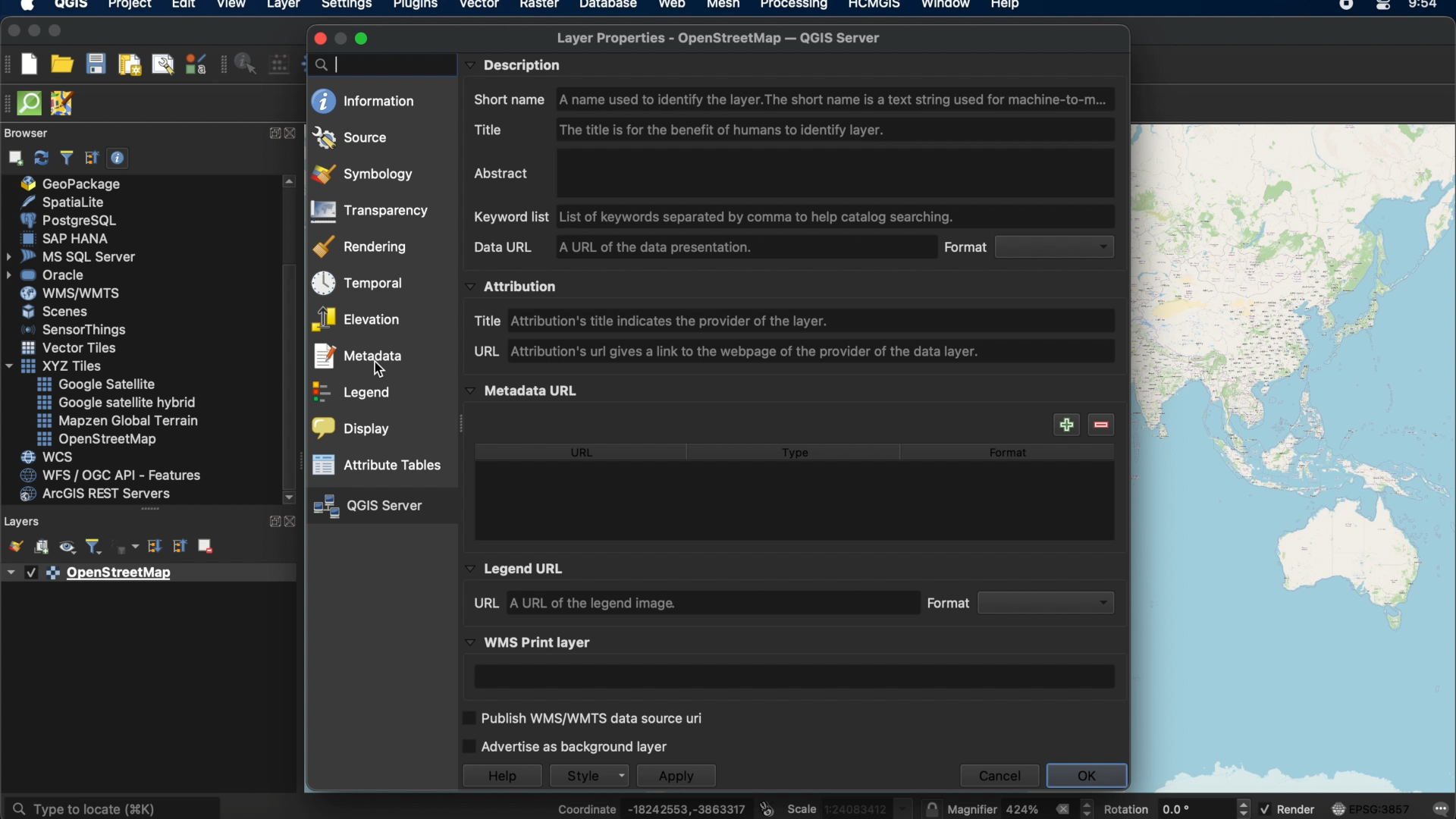 This screenshot has width=1456, height=819. Describe the element at coordinates (162, 64) in the screenshot. I see `show layout` at that location.